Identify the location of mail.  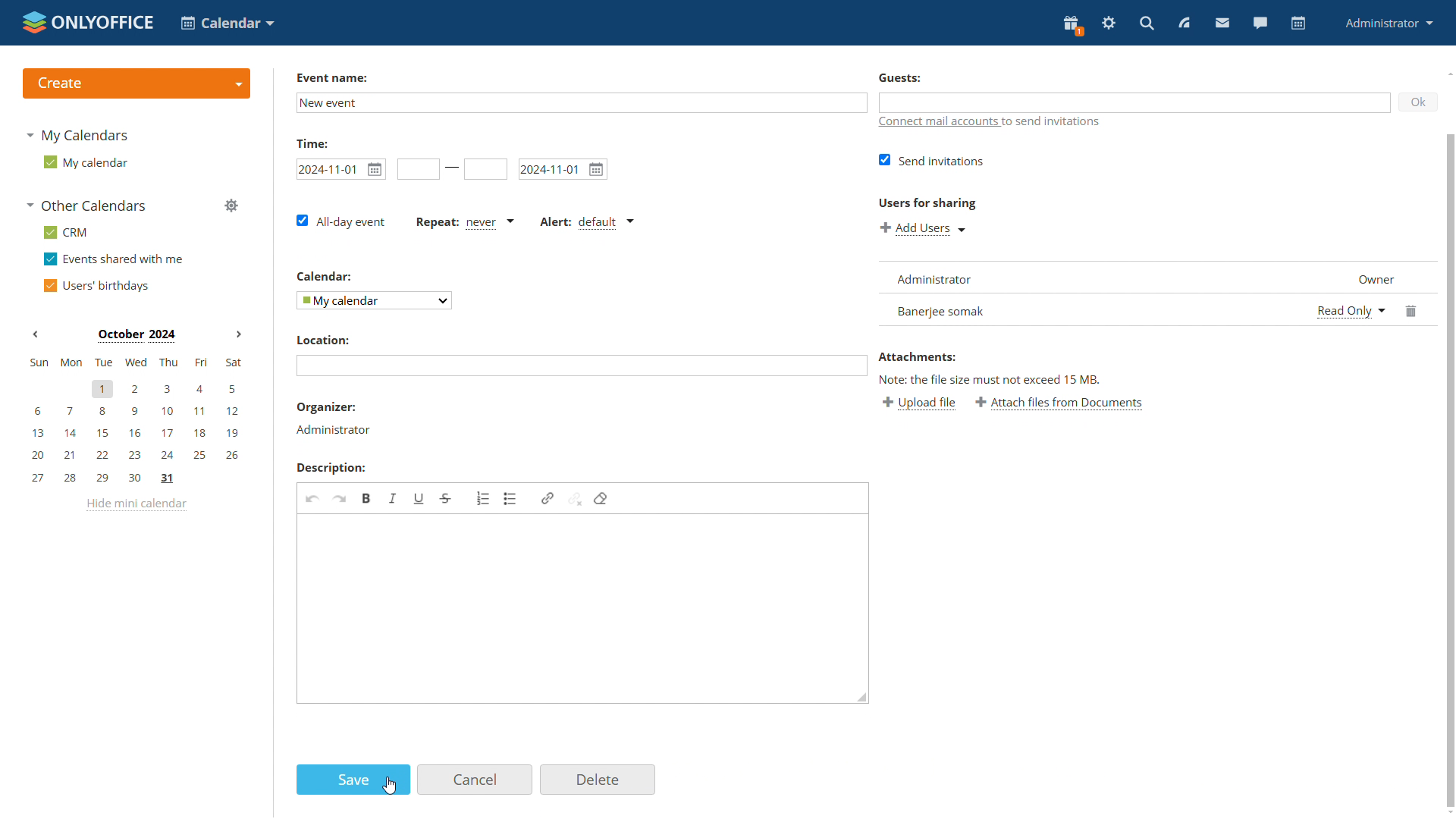
(1221, 23).